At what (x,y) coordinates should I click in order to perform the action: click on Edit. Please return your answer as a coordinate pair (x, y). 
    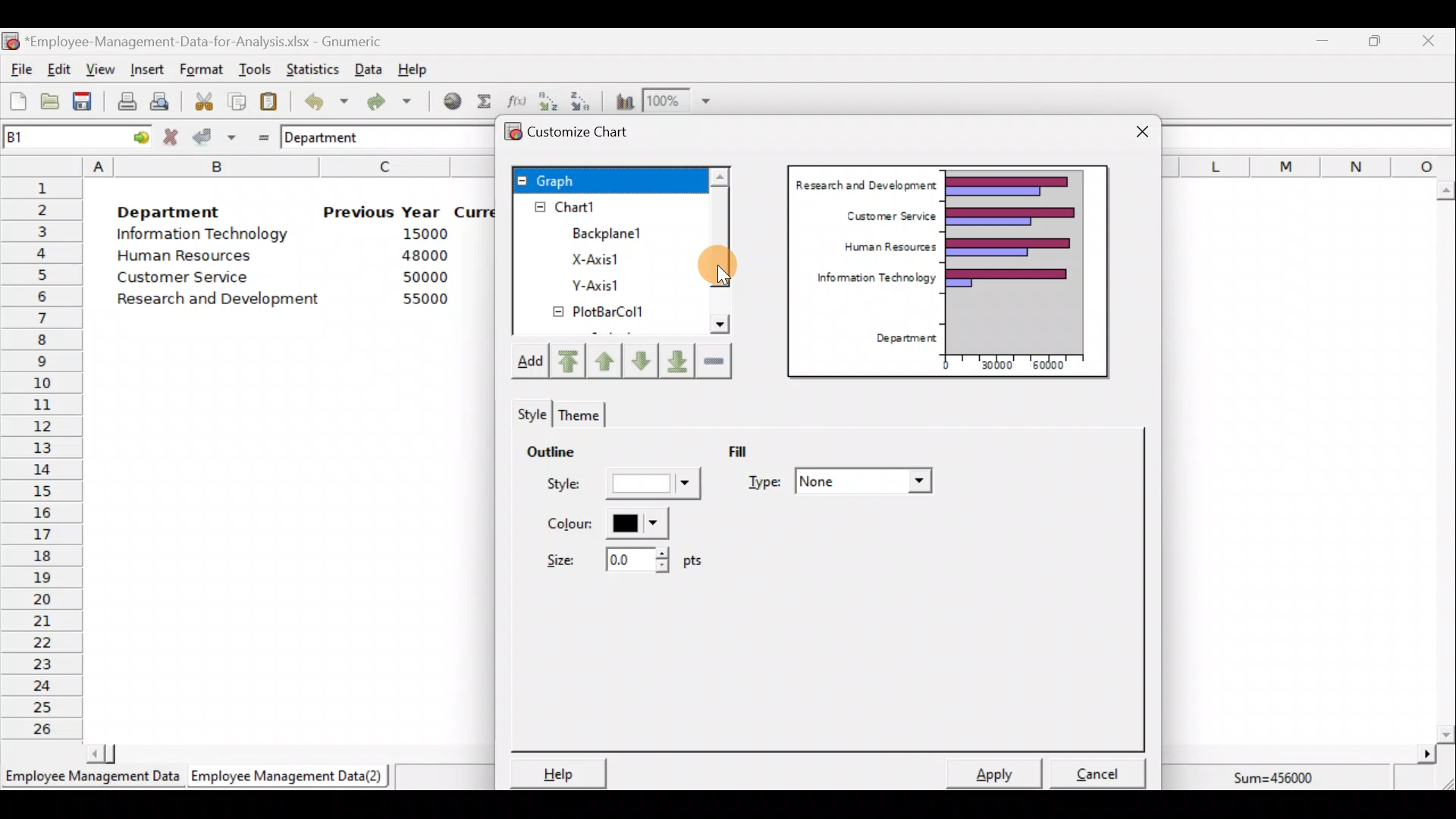
    Looking at the image, I should click on (60, 71).